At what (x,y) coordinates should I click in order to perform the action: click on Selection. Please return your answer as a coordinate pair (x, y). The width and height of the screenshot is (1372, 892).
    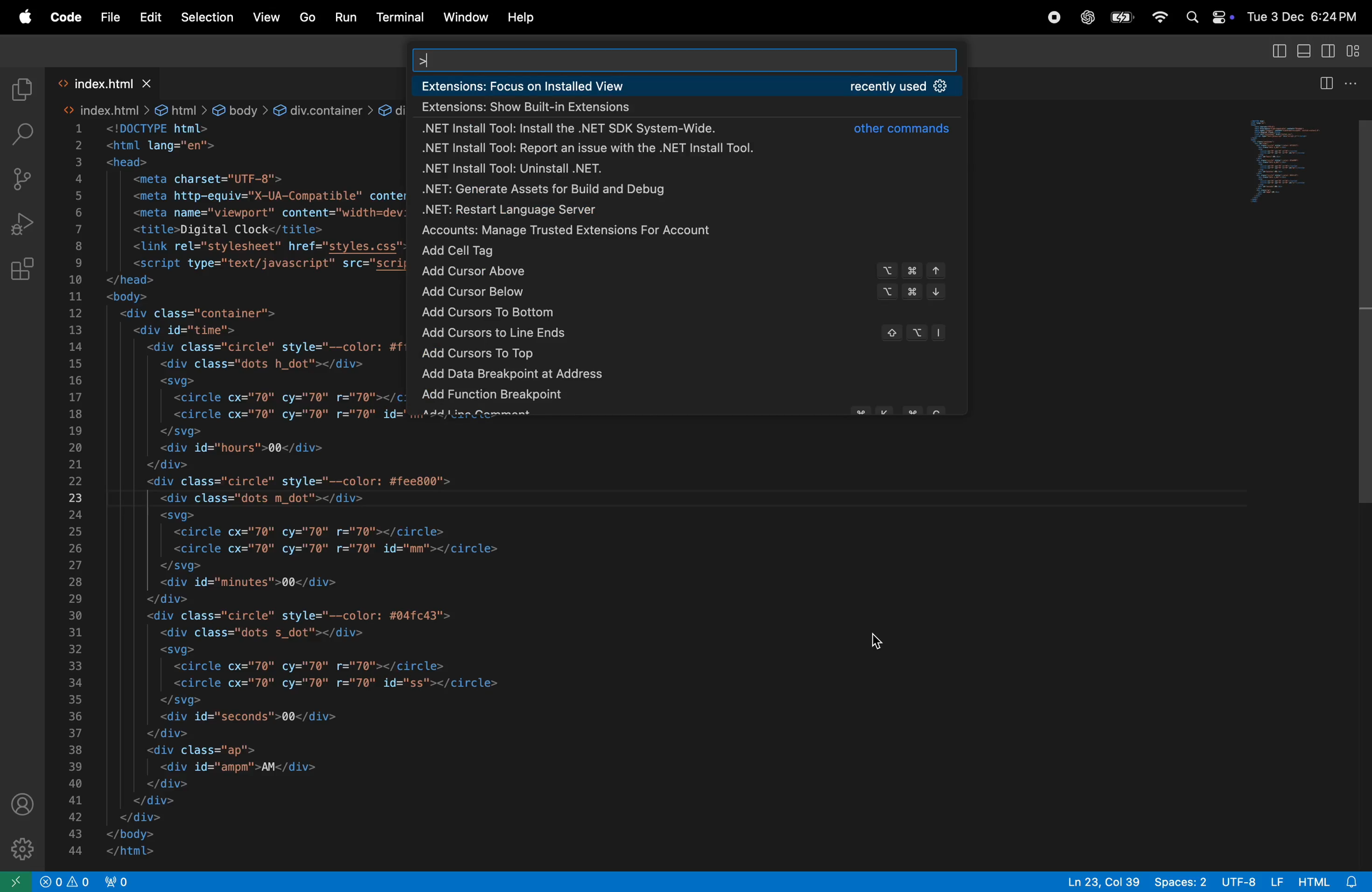
    Looking at the image, I should click on (205, 18).